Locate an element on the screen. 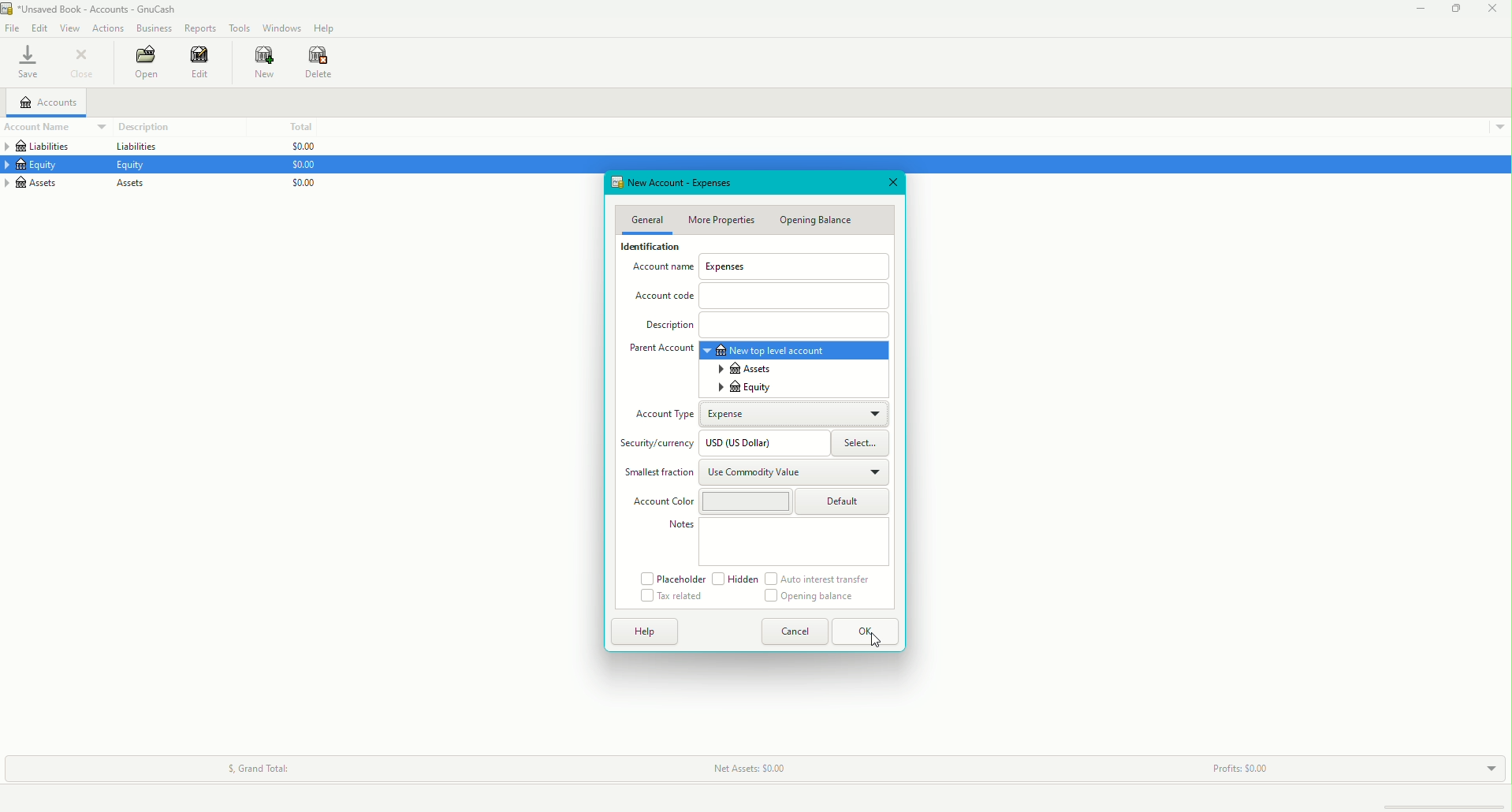 The width and height of the screenshot is (1512, 812). New top level account is located at coordinates (777, 349).